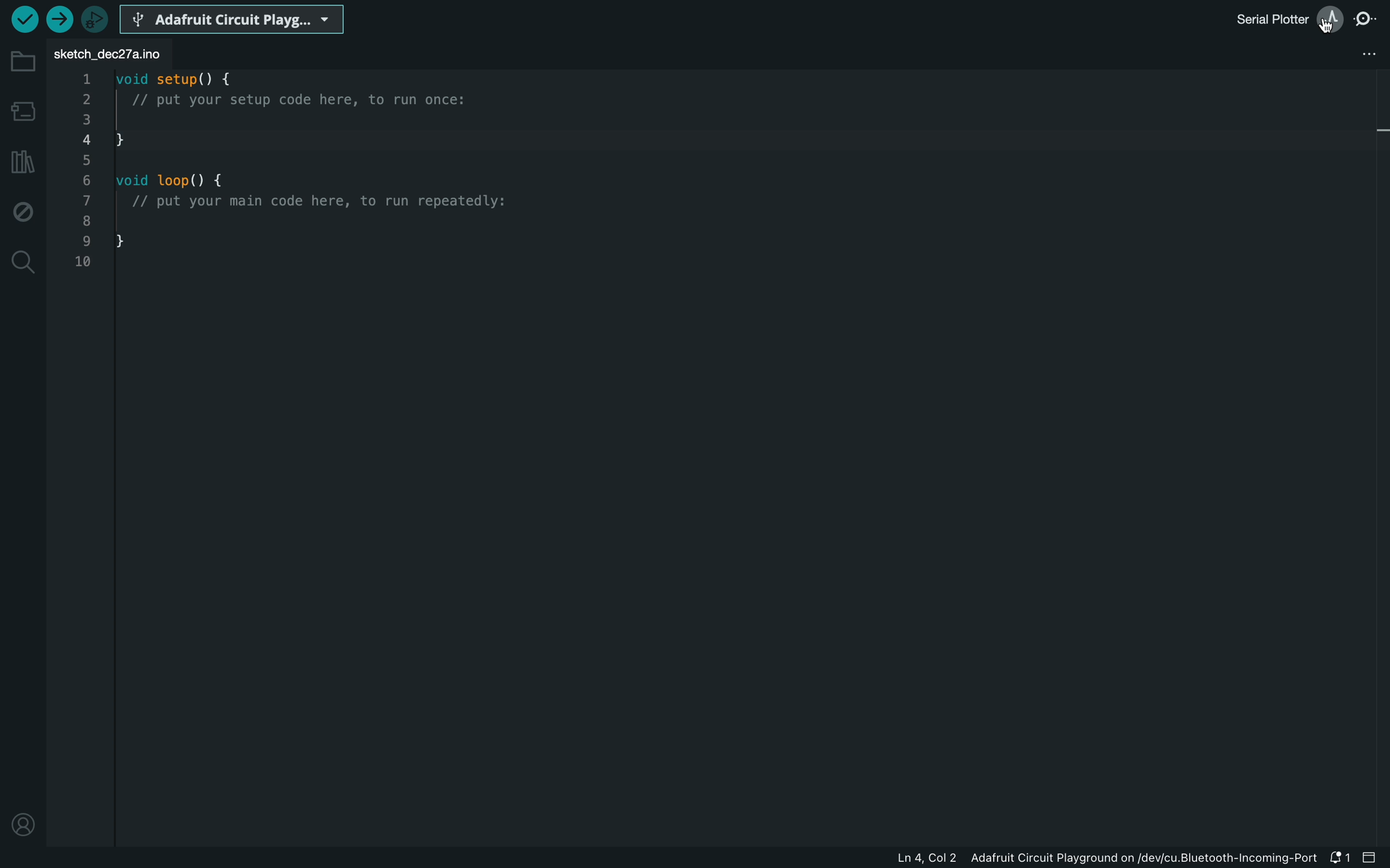  What do you see at coordinates (1327, 24) in the screenshot?
I see `cursor` at bounding box center [1327, 24].